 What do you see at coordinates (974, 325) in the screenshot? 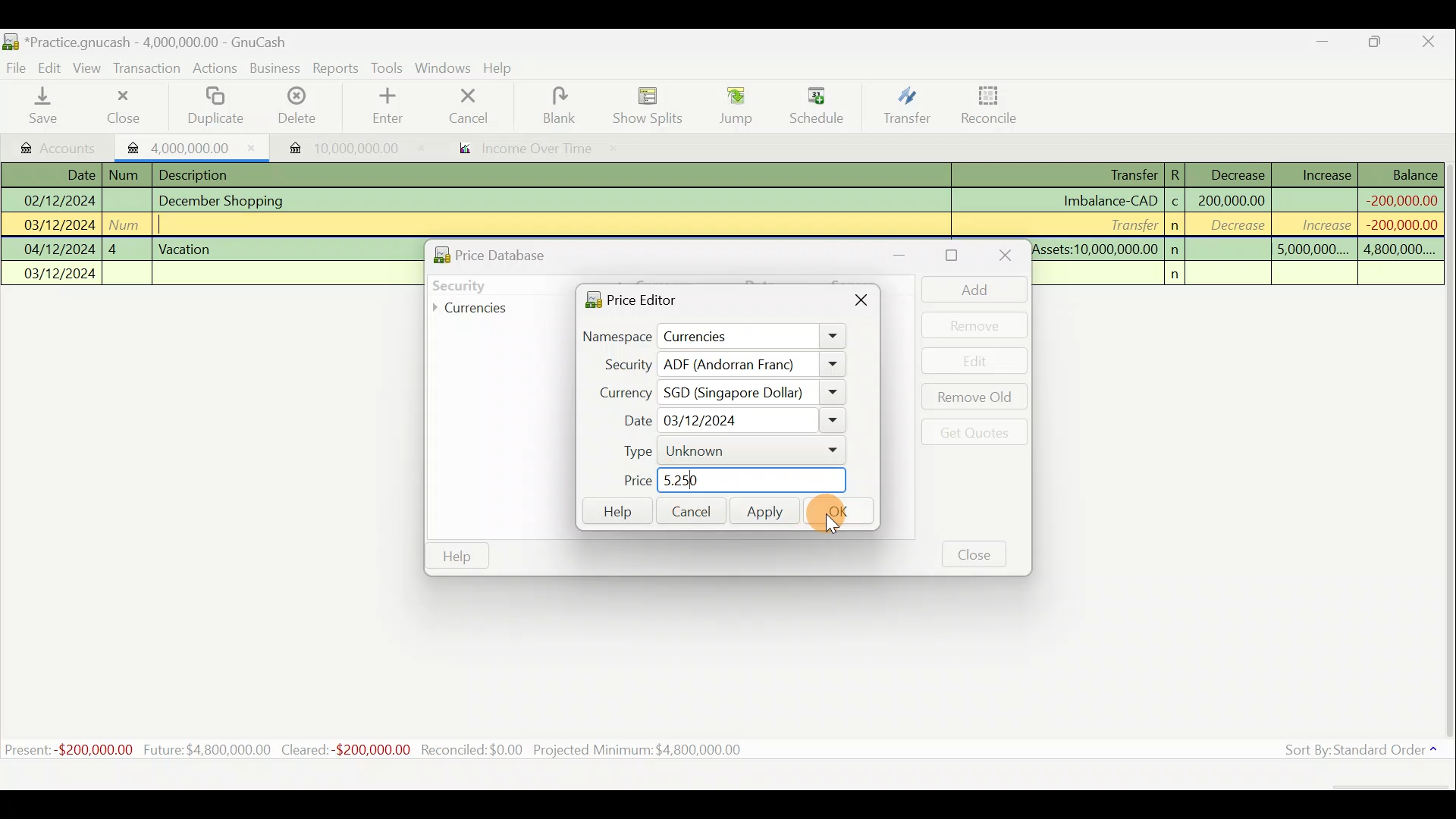
I see `Remove` at bounding box center [974, 325].